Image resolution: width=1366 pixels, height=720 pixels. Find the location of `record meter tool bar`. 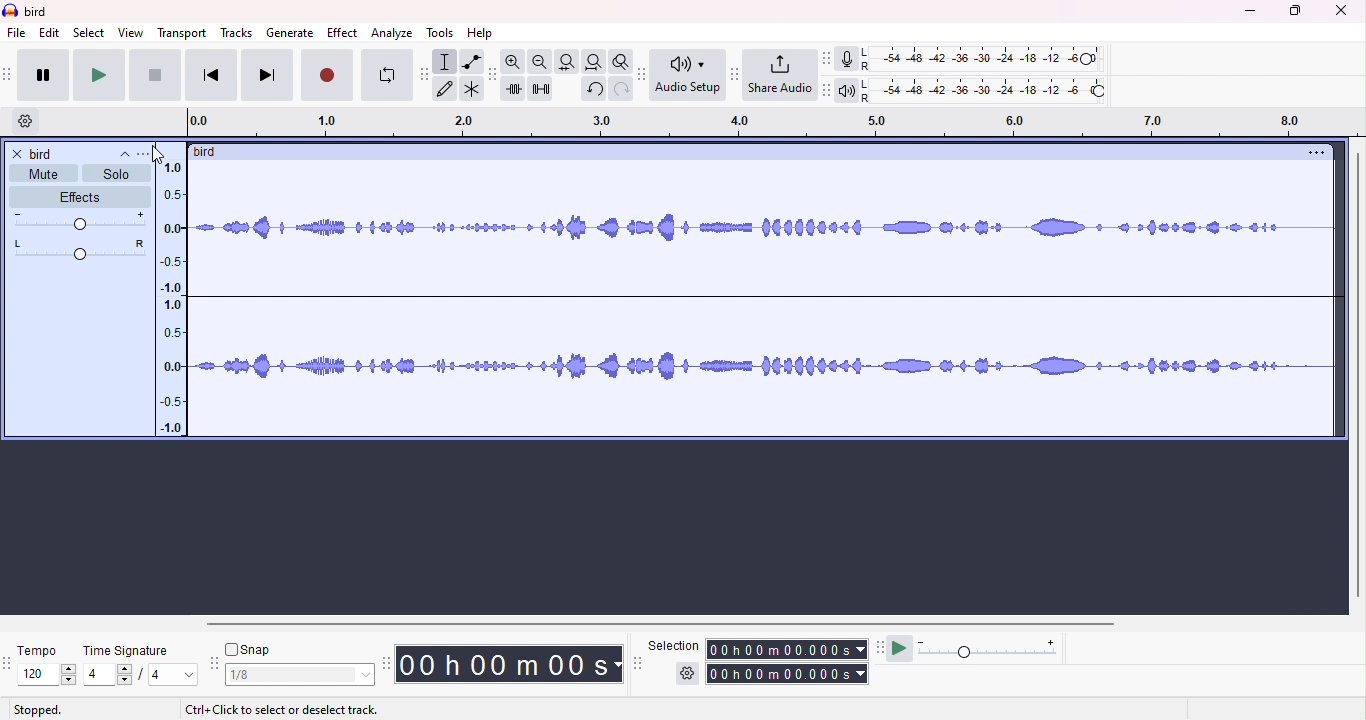

record meter tool bar is located at coordinates (830, 59).